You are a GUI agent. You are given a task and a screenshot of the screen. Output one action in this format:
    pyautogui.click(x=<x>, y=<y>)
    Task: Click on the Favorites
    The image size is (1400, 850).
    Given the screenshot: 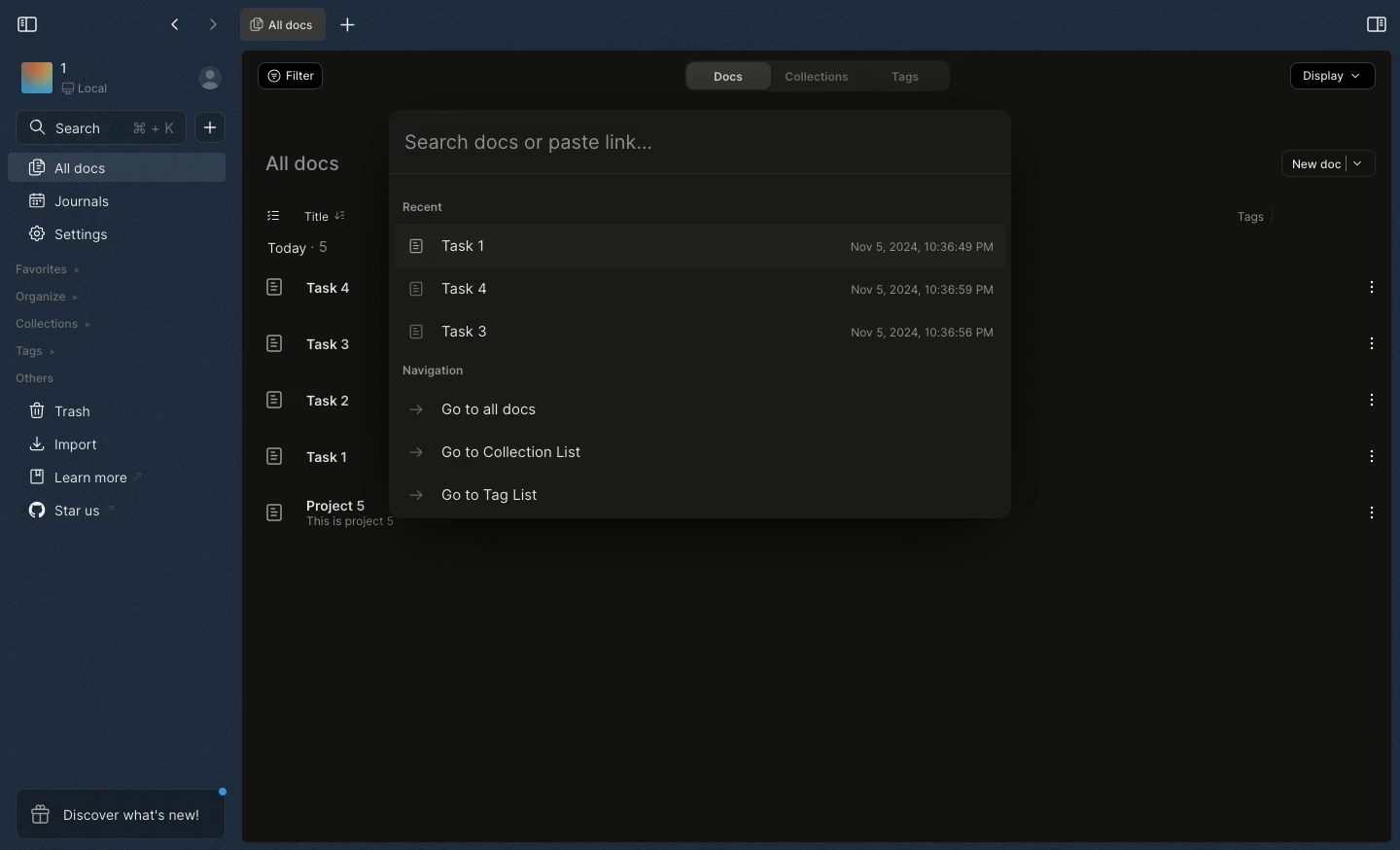 What is the action you would take?
    pyautogui.click(x=43, y=269)
    